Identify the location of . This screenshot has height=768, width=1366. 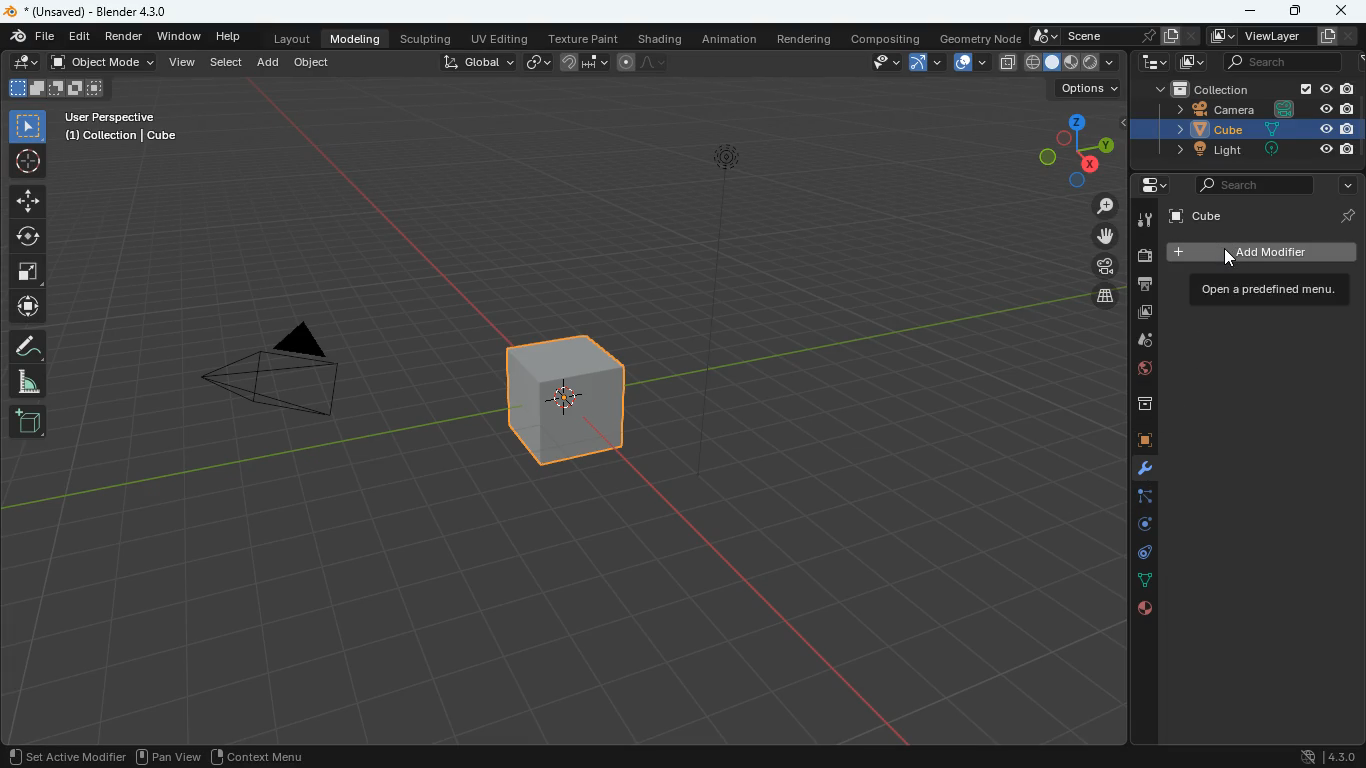
(1347, 89).